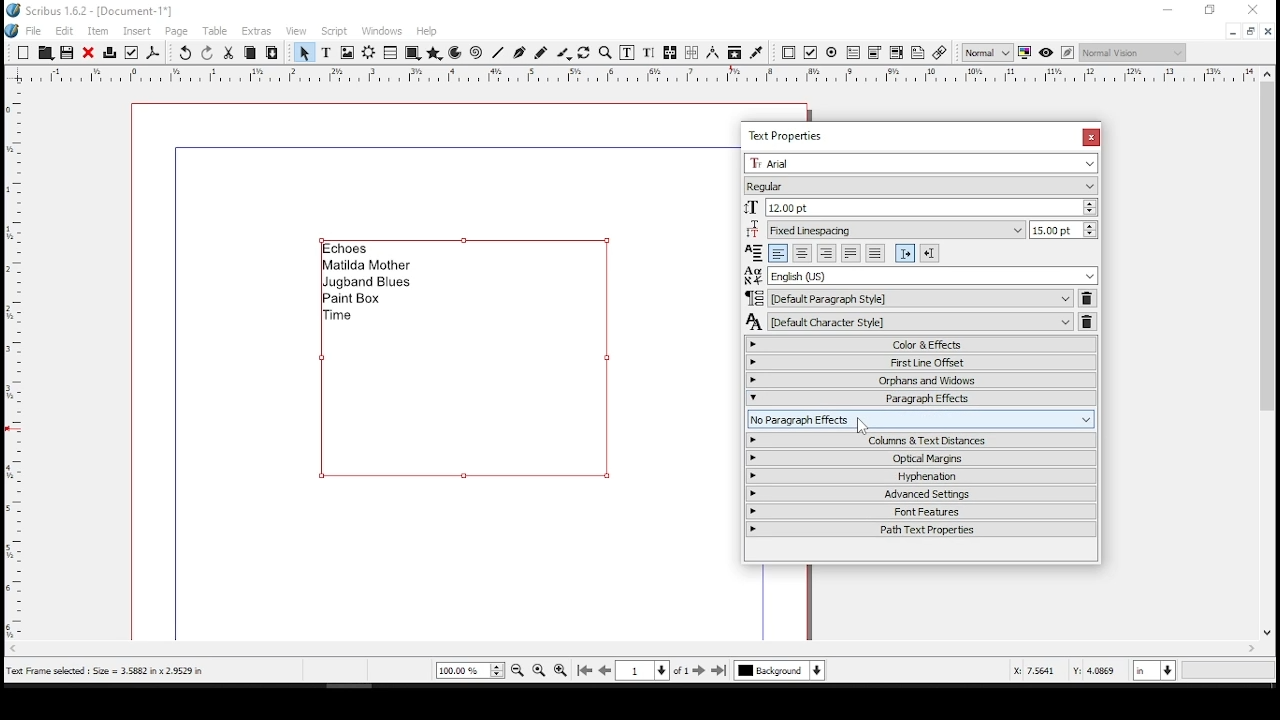 The image size is (1280, 720). What do you see at coordinates (1089, 137) in the screenshot?
I see `close window` at bounding box center [1089, 137].